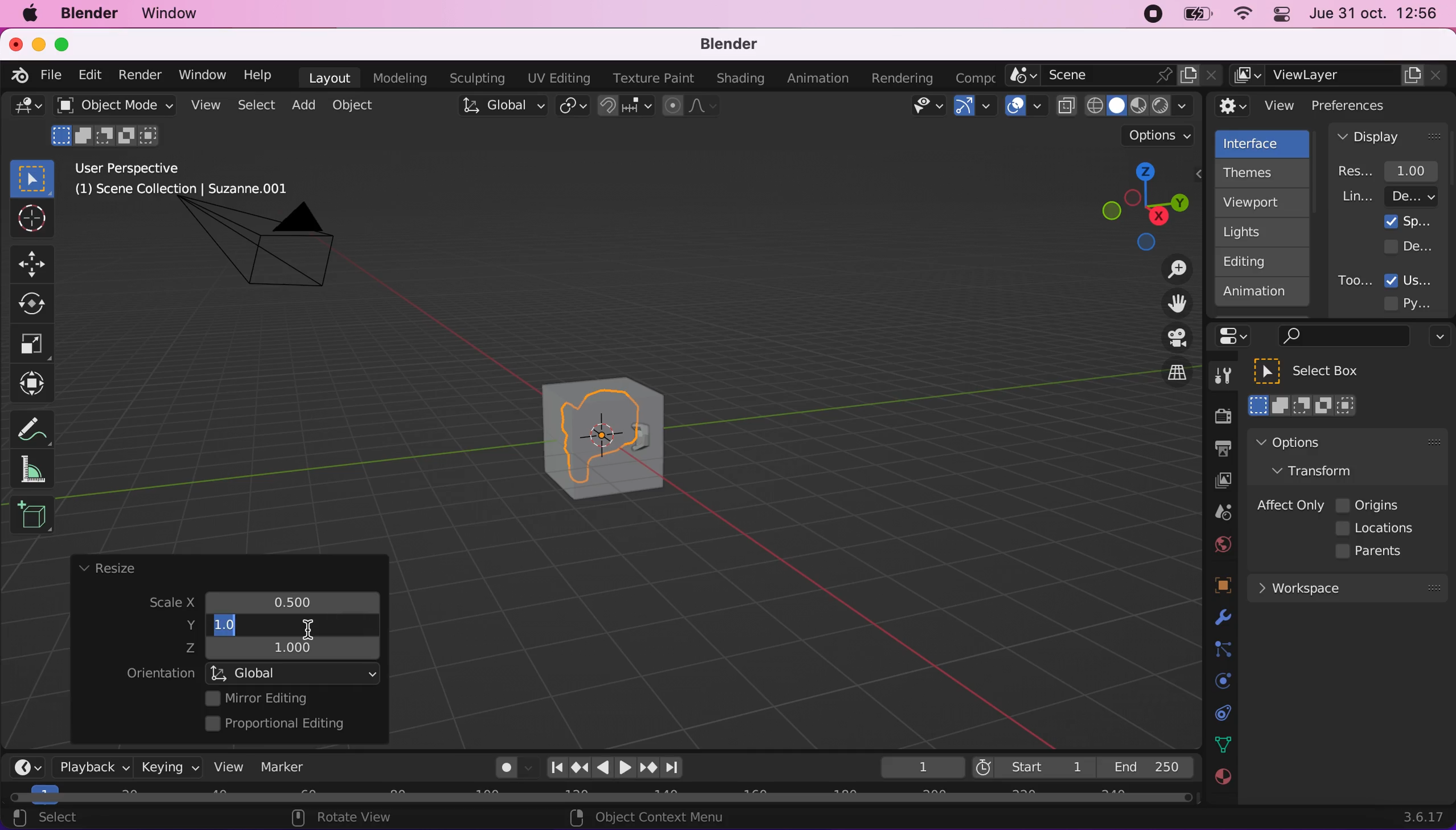  Describe the element at coordinates (353, 819) in the screenshot. I see `rotate view` at that location.